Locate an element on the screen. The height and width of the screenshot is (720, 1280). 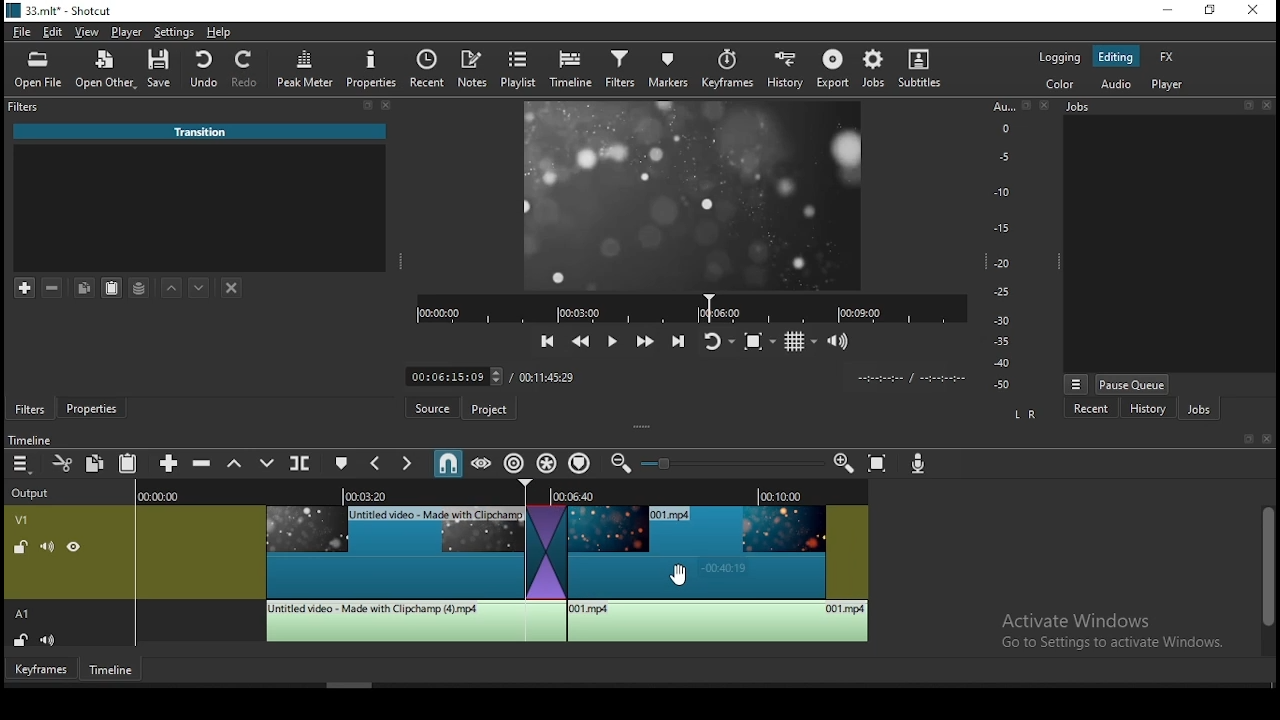
redo is located at coordinates (247, 71).